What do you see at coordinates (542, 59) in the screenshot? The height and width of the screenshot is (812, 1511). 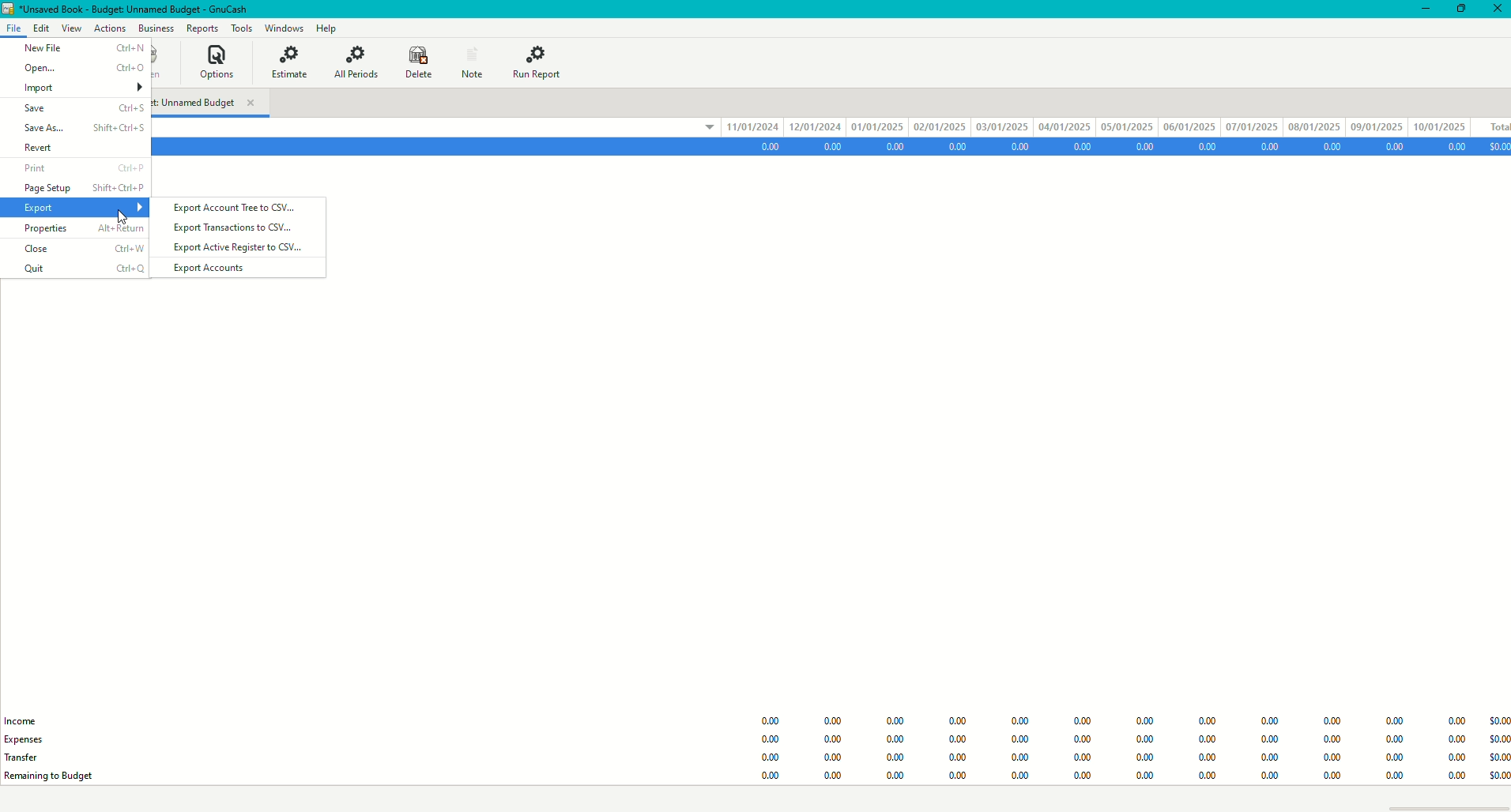 I see `Run Report` at bounding box center [542, 59].